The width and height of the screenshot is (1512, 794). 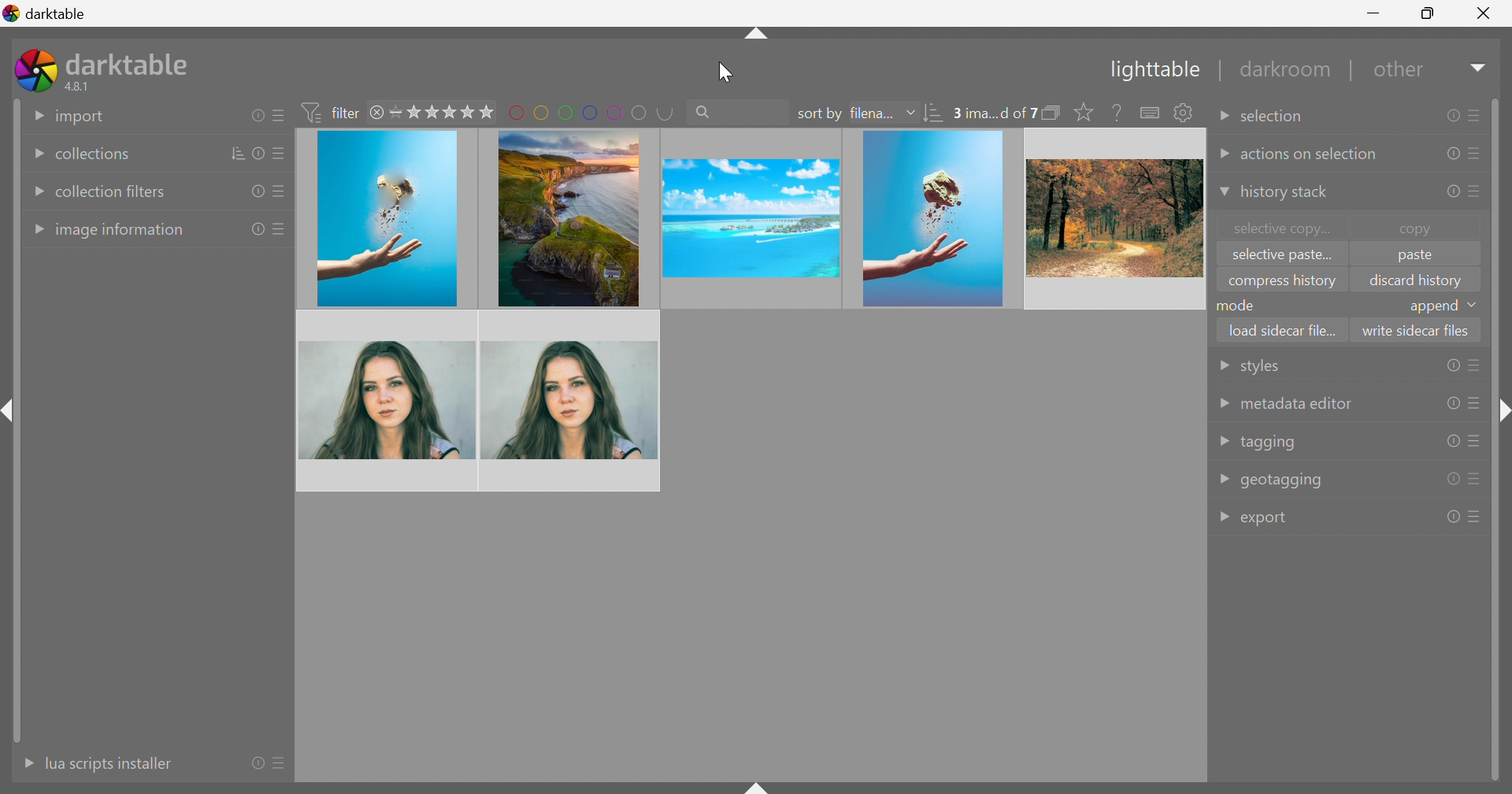 What do you see at coordinates (1269, 443) in the screenshot?
I see `tagging` at bounding box center [1269, 443].